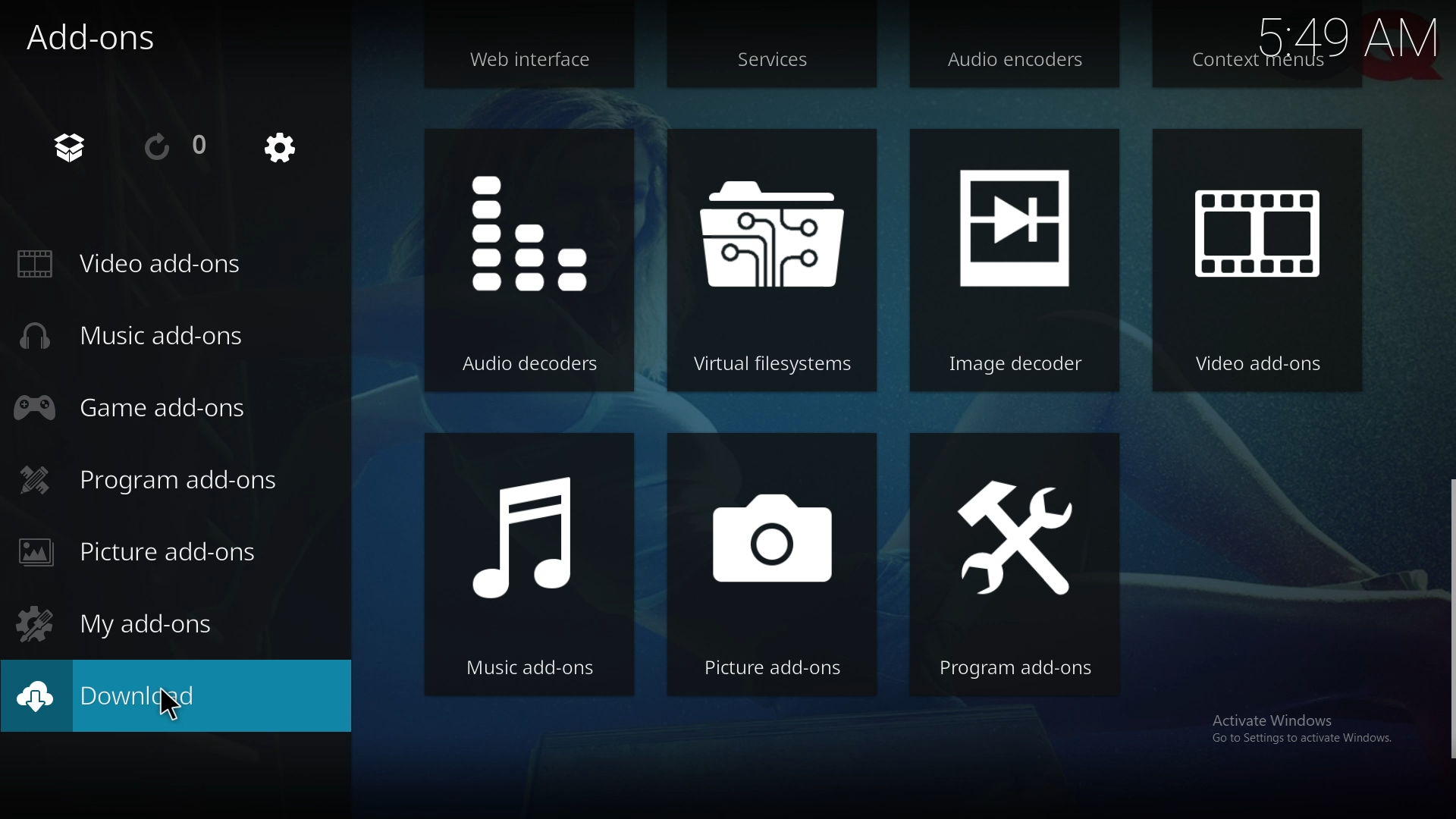 The width and height of the screenshot is (1456, 819). Describe the element at coordinates (1448, 622) in the screenshot. I see `scroll bar` at that location.